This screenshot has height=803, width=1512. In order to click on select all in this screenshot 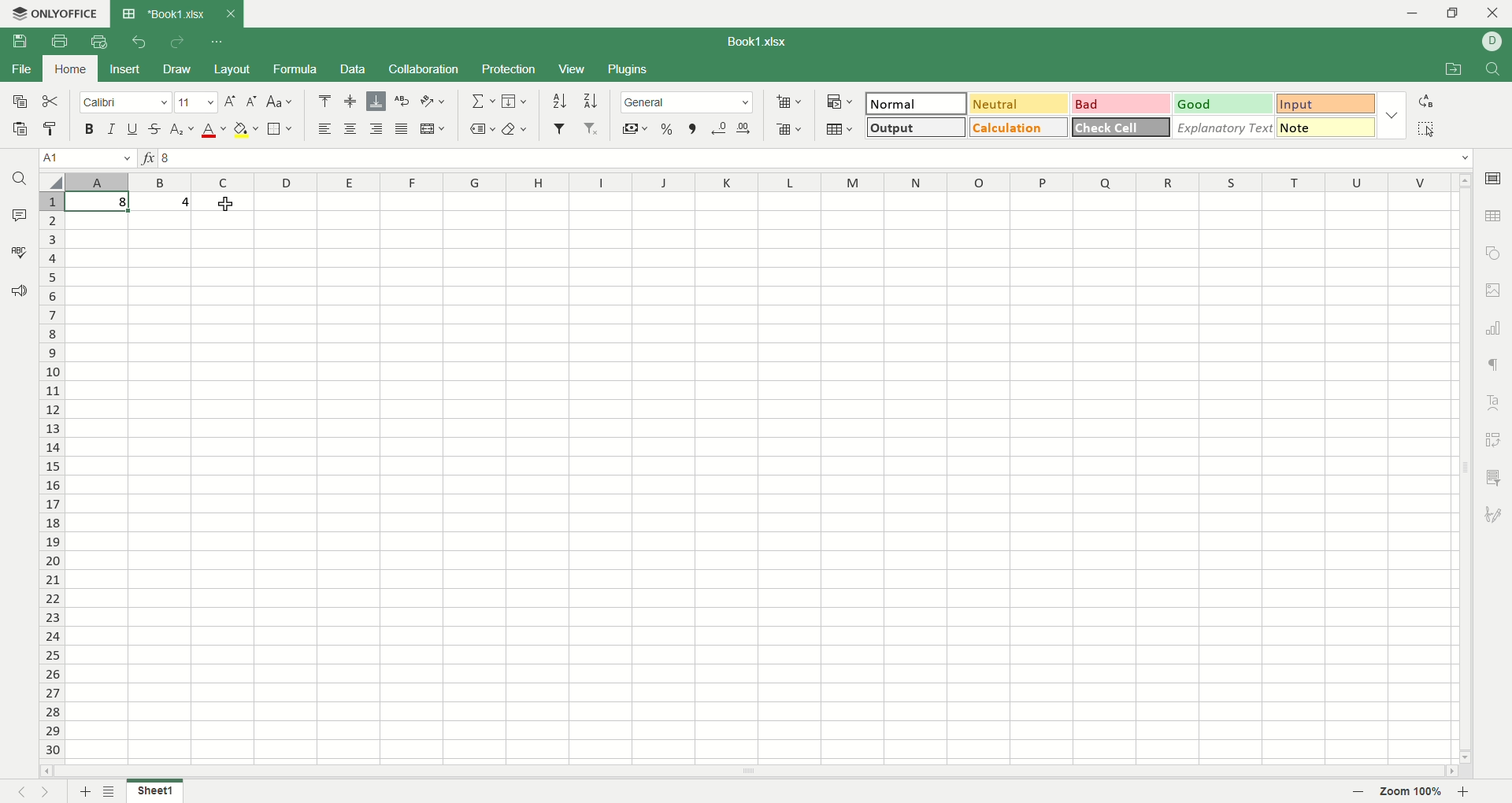, I will do `click(1430, 128)`.